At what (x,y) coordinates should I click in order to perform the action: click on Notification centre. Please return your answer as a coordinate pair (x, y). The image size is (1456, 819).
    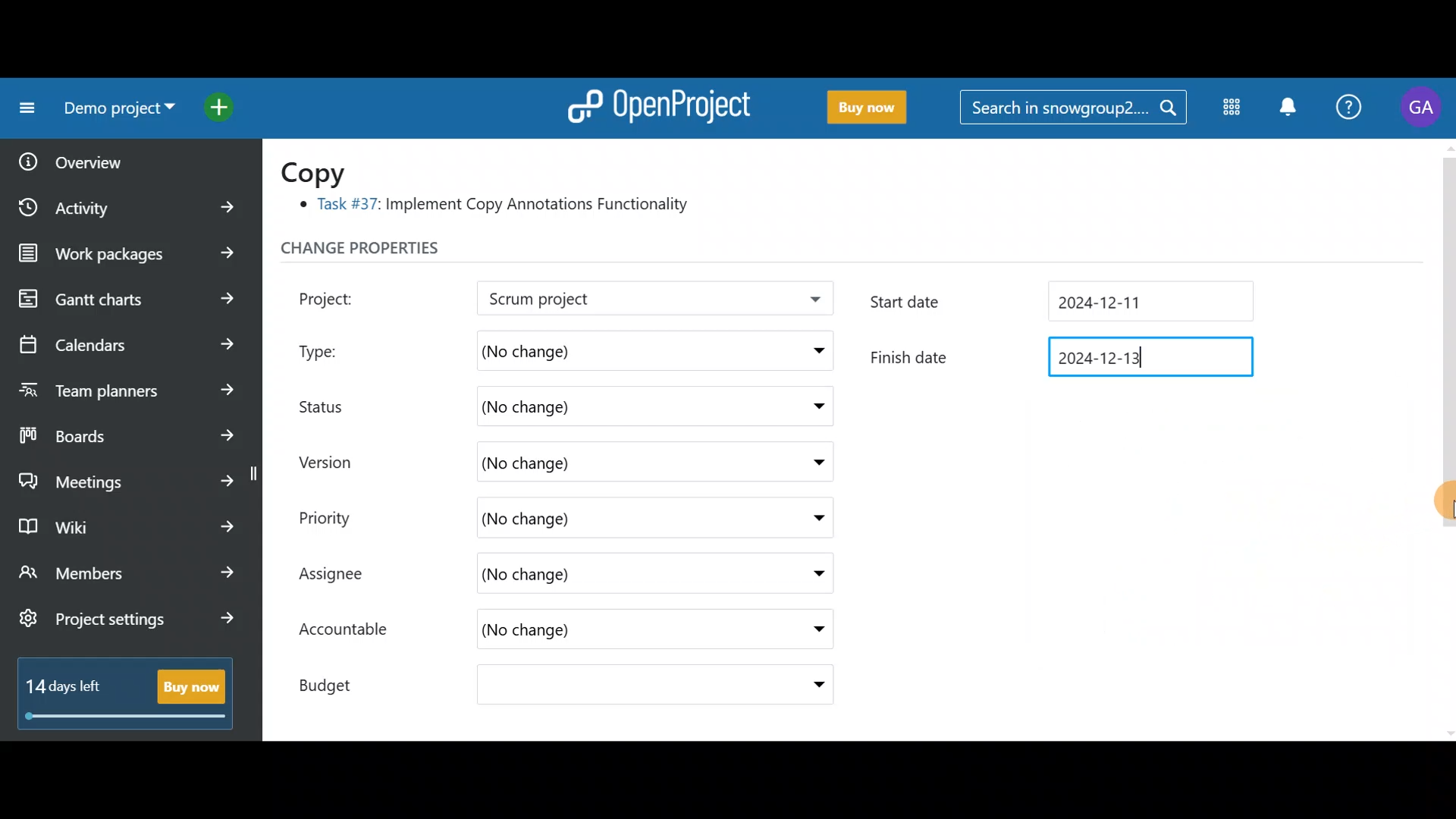
    Looking at the image, I should click on (1287, 108).